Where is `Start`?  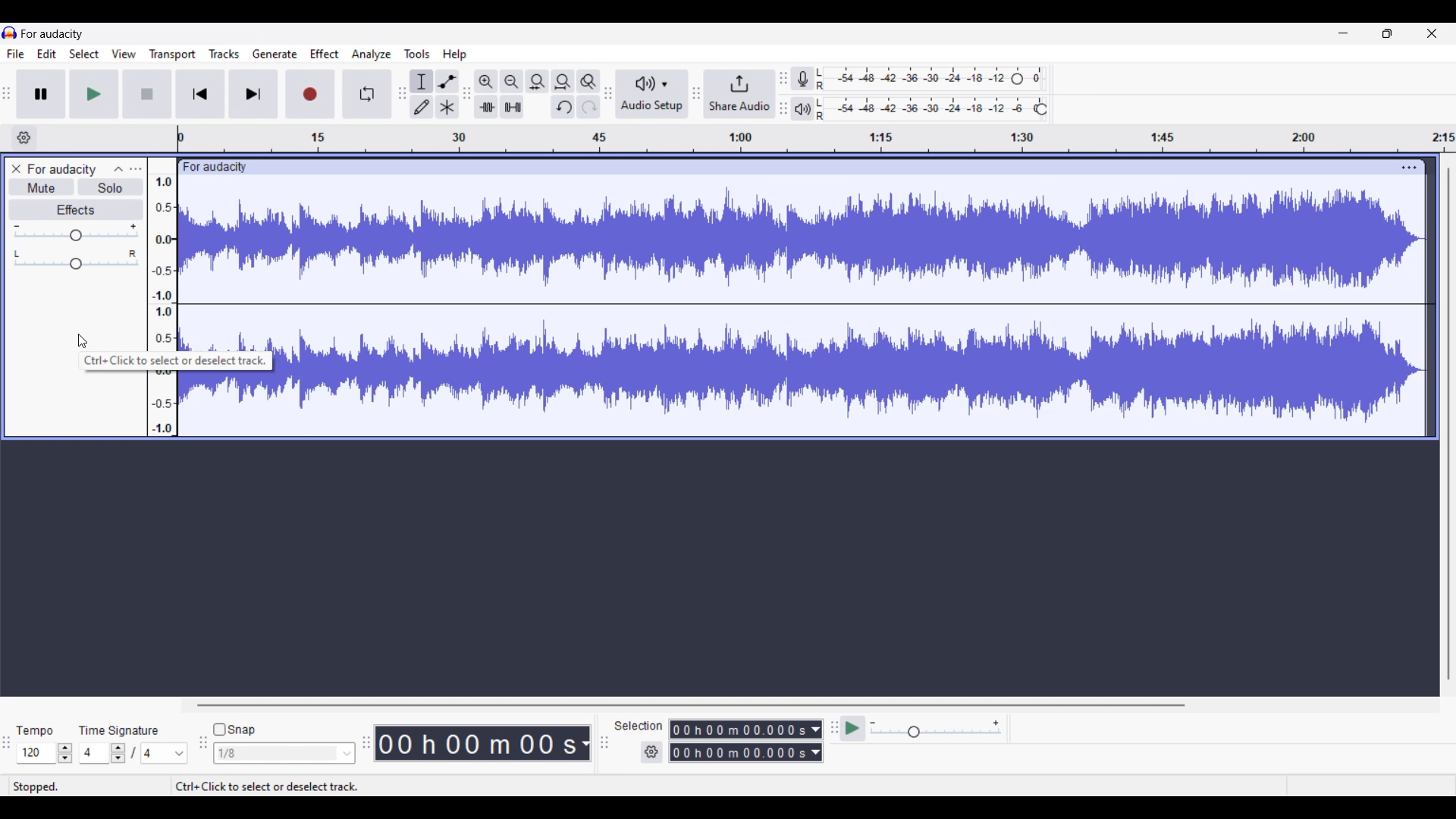
Start is located at coordinates (148, 94).